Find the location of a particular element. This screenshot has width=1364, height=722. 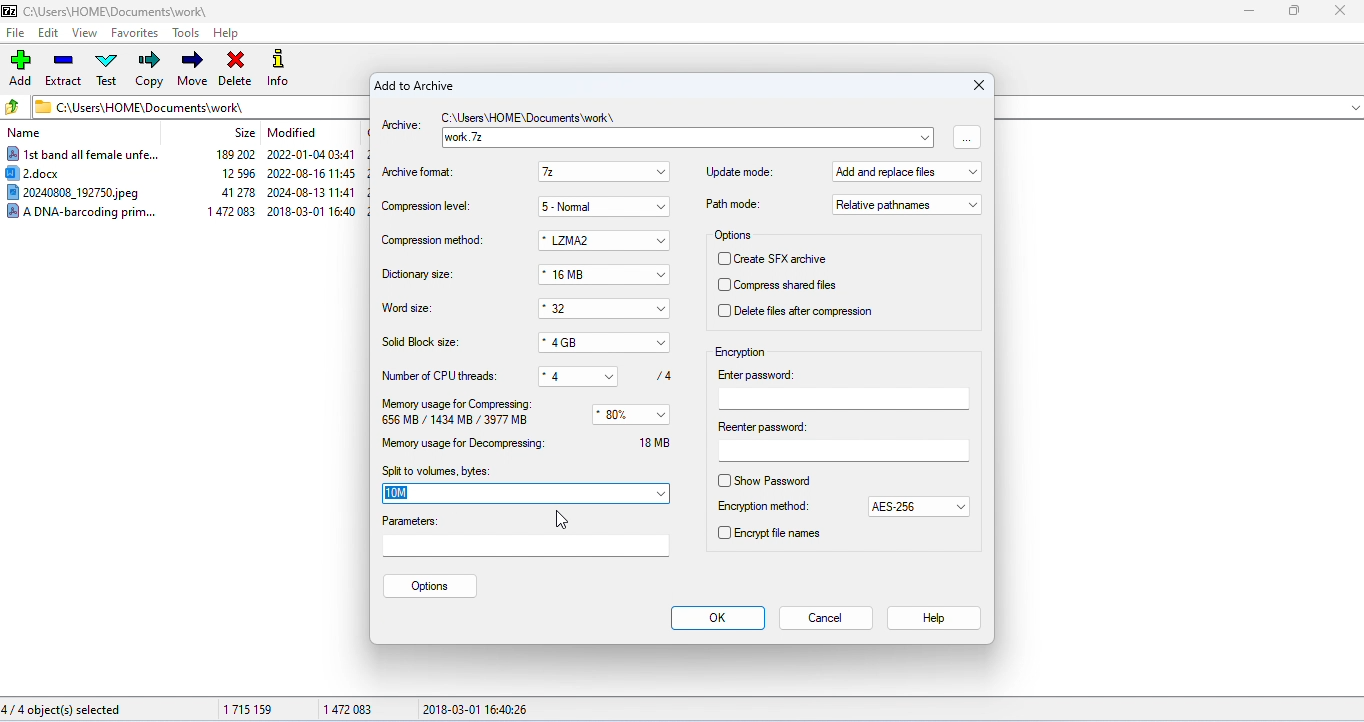

* 32 is located at coordinates (589, 309).